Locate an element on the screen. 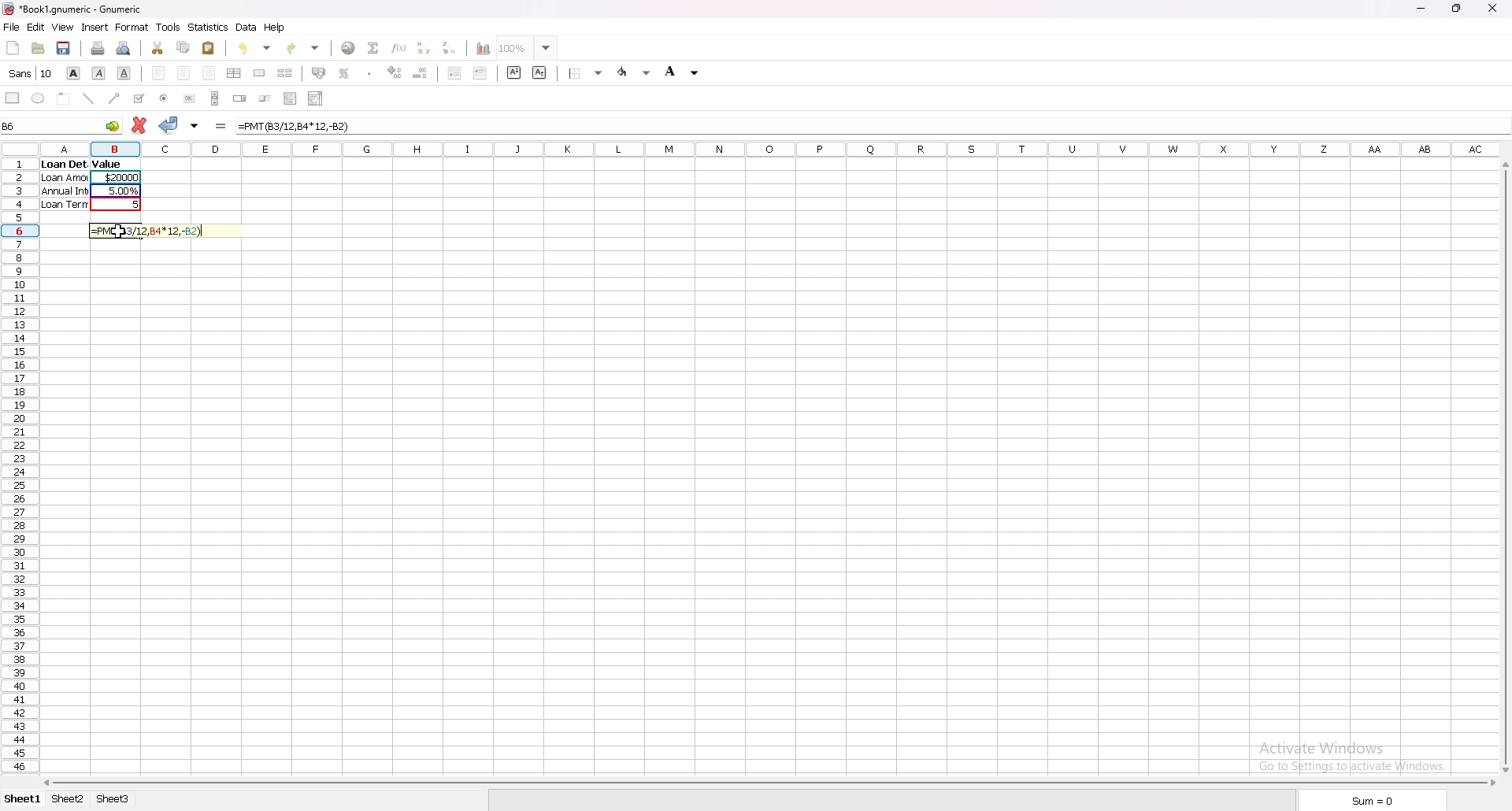 This screenshot has height=811, width=1512. font is located at coordinates (31, 72).